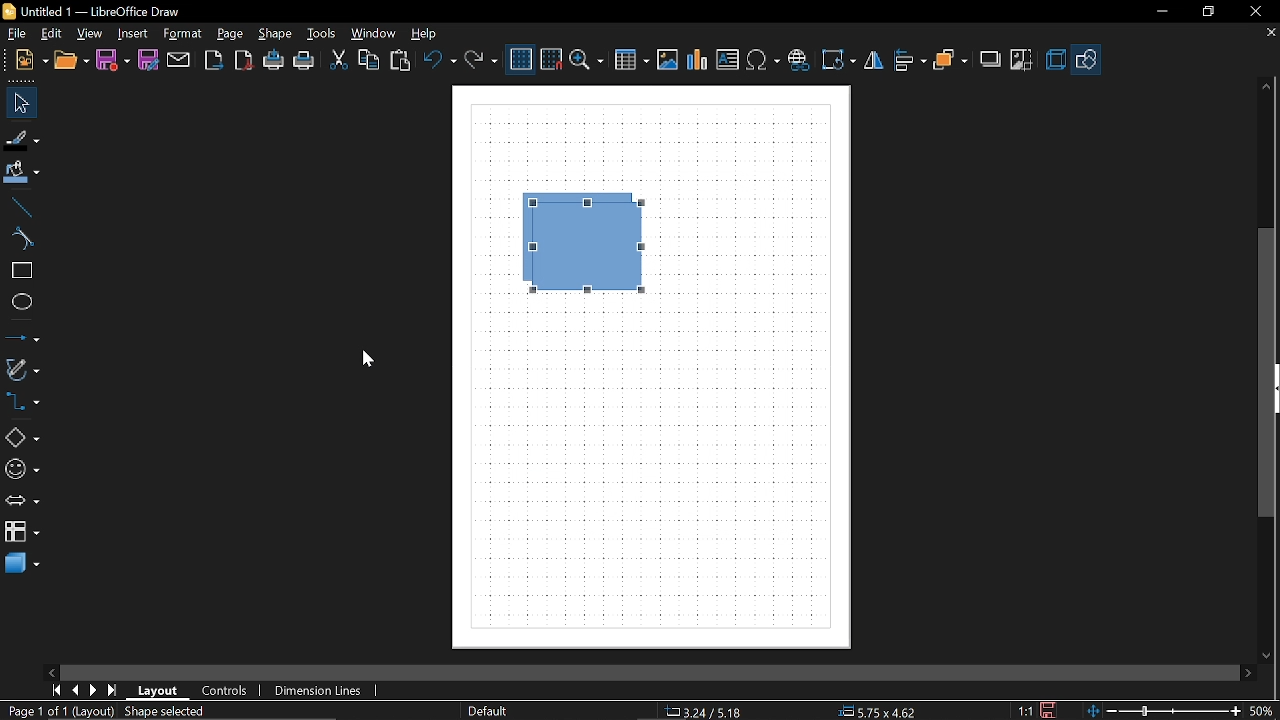 The height and width of the screenshot is (720, 1280). What do you see at coordinates (22, 336) in the screenshot?
I see `Lines and arrows` at bounding box center [22, 336].